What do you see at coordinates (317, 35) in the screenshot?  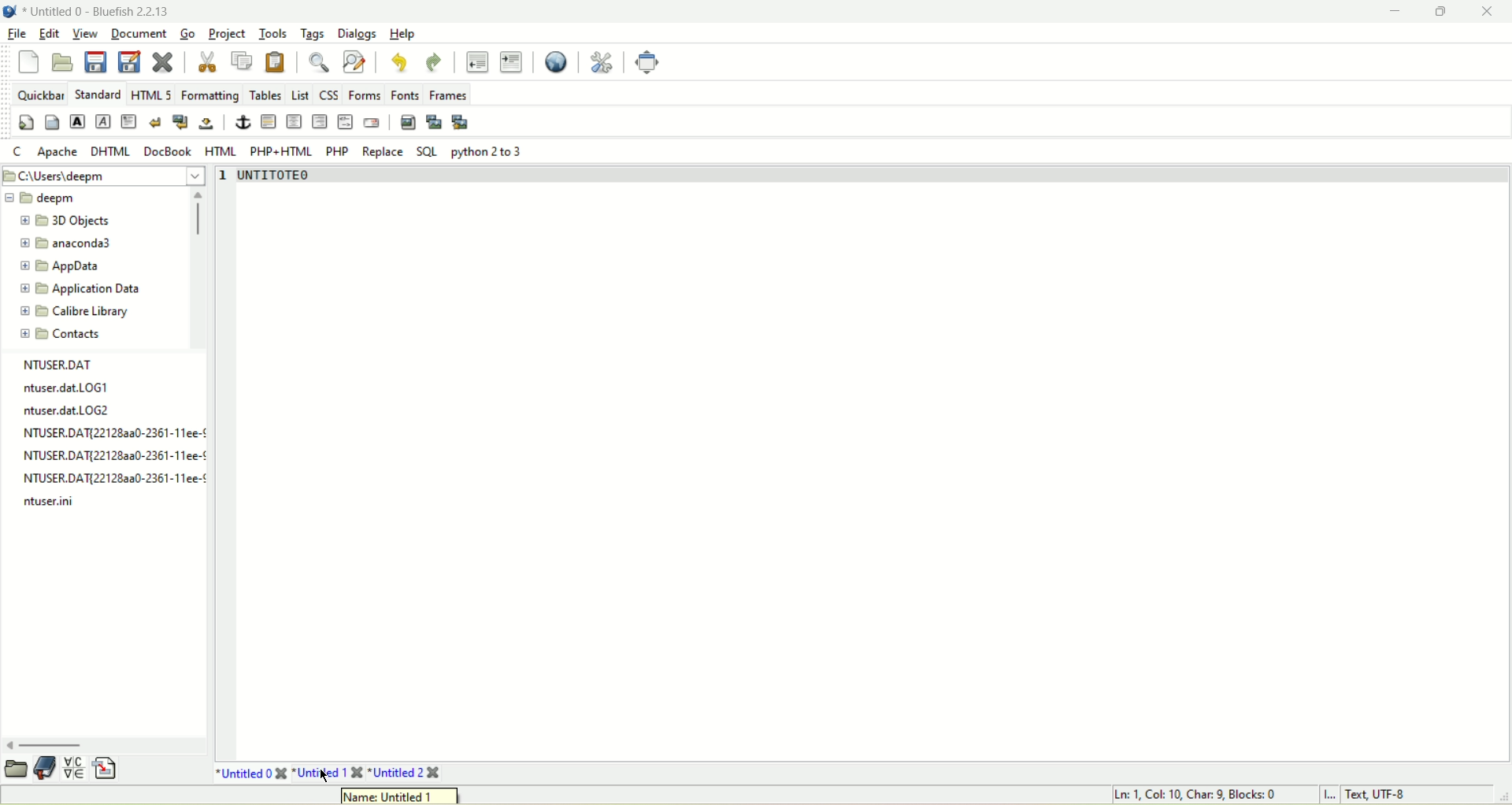 I see `Tags` at bounding box center [317, 35].